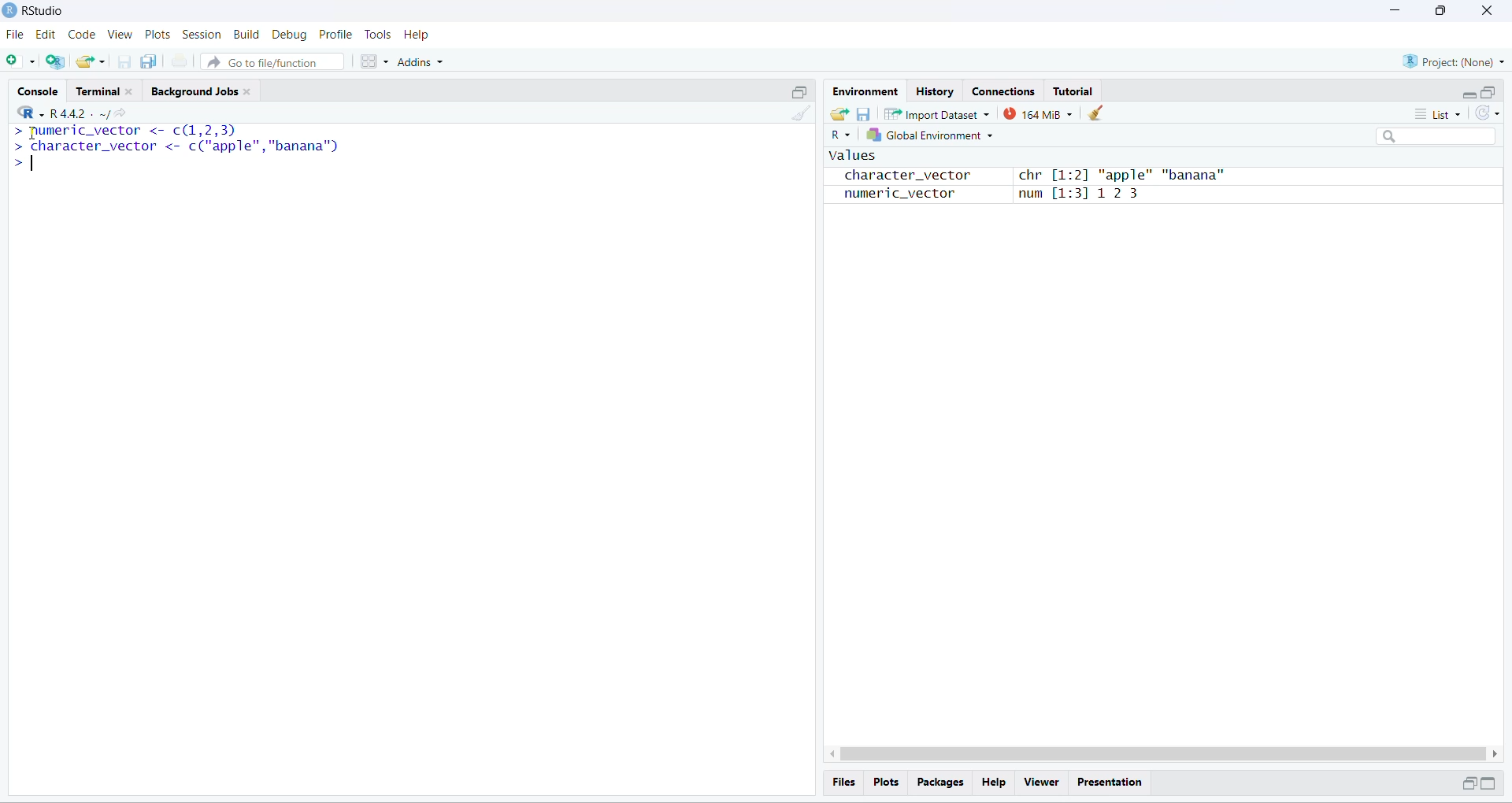 This screenshot has width=1512, height=803. What do you see at coordinates (124, 62) in the screenshot?
I see `save current document` at bounding box center [124, 62].